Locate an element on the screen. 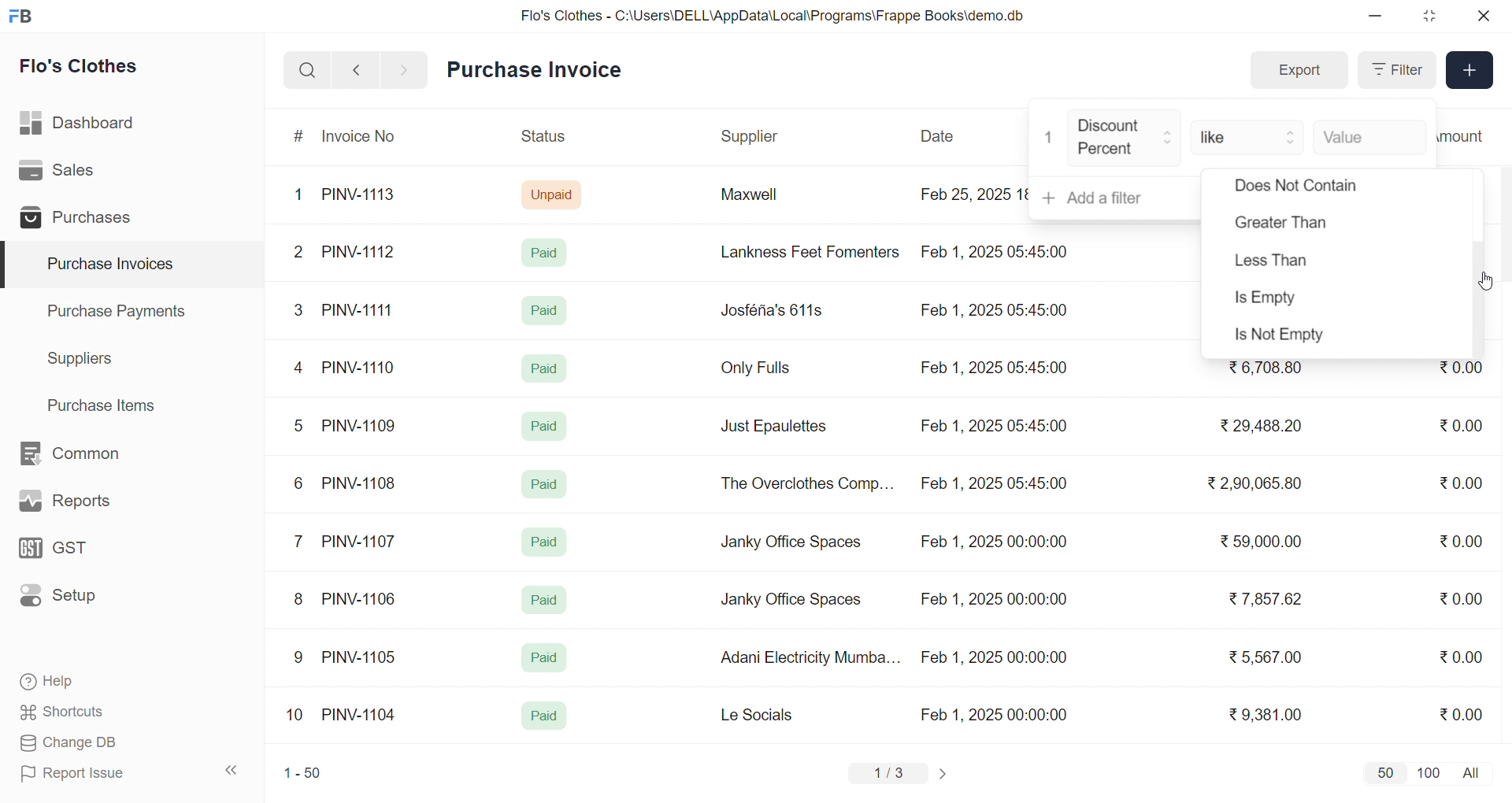 The width and height of the screenshot is (1512, 803). Value is located at coordinates (1369, 135).